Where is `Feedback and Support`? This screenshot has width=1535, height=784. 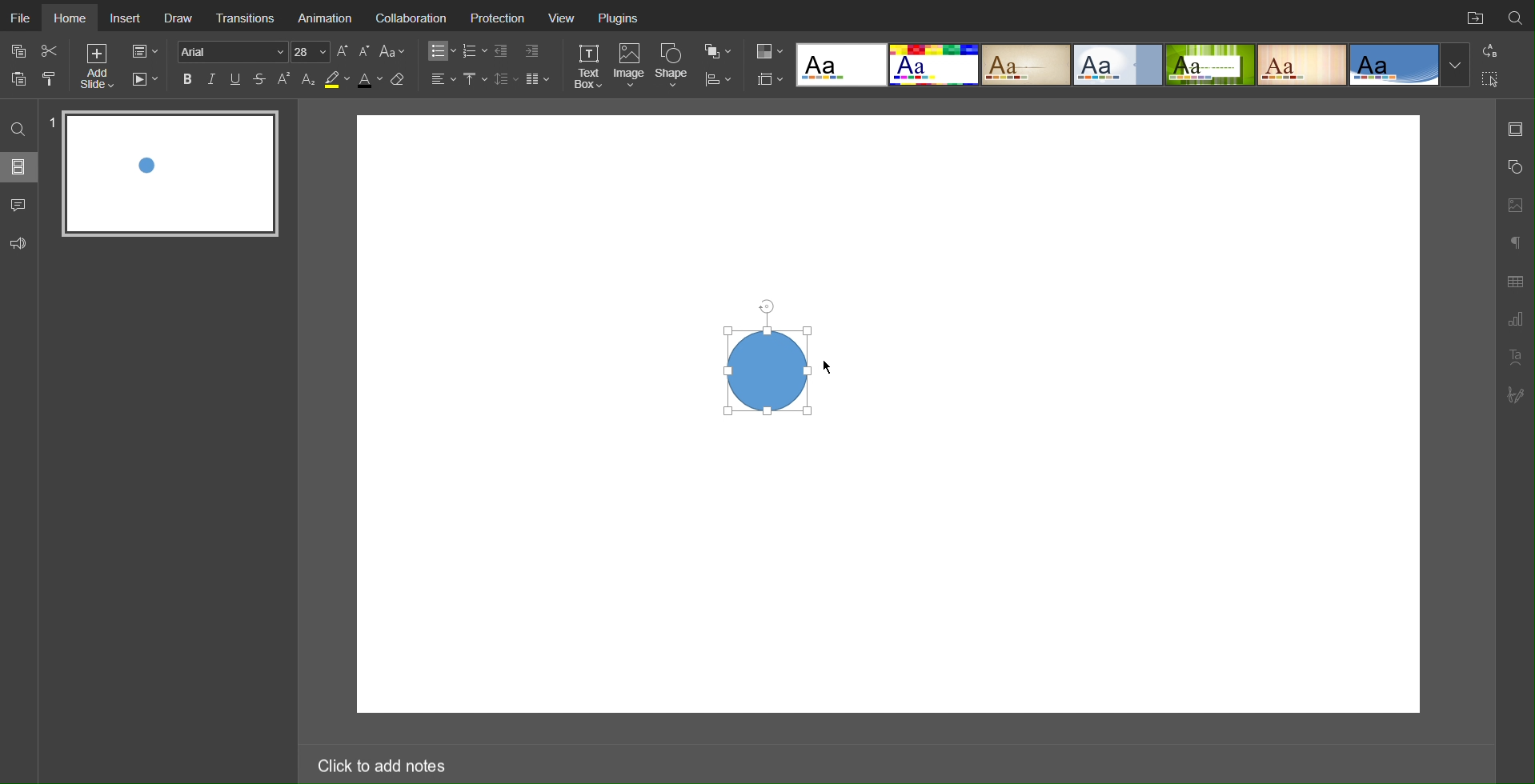 Feedback and Support is located at coordinates (18, 244).